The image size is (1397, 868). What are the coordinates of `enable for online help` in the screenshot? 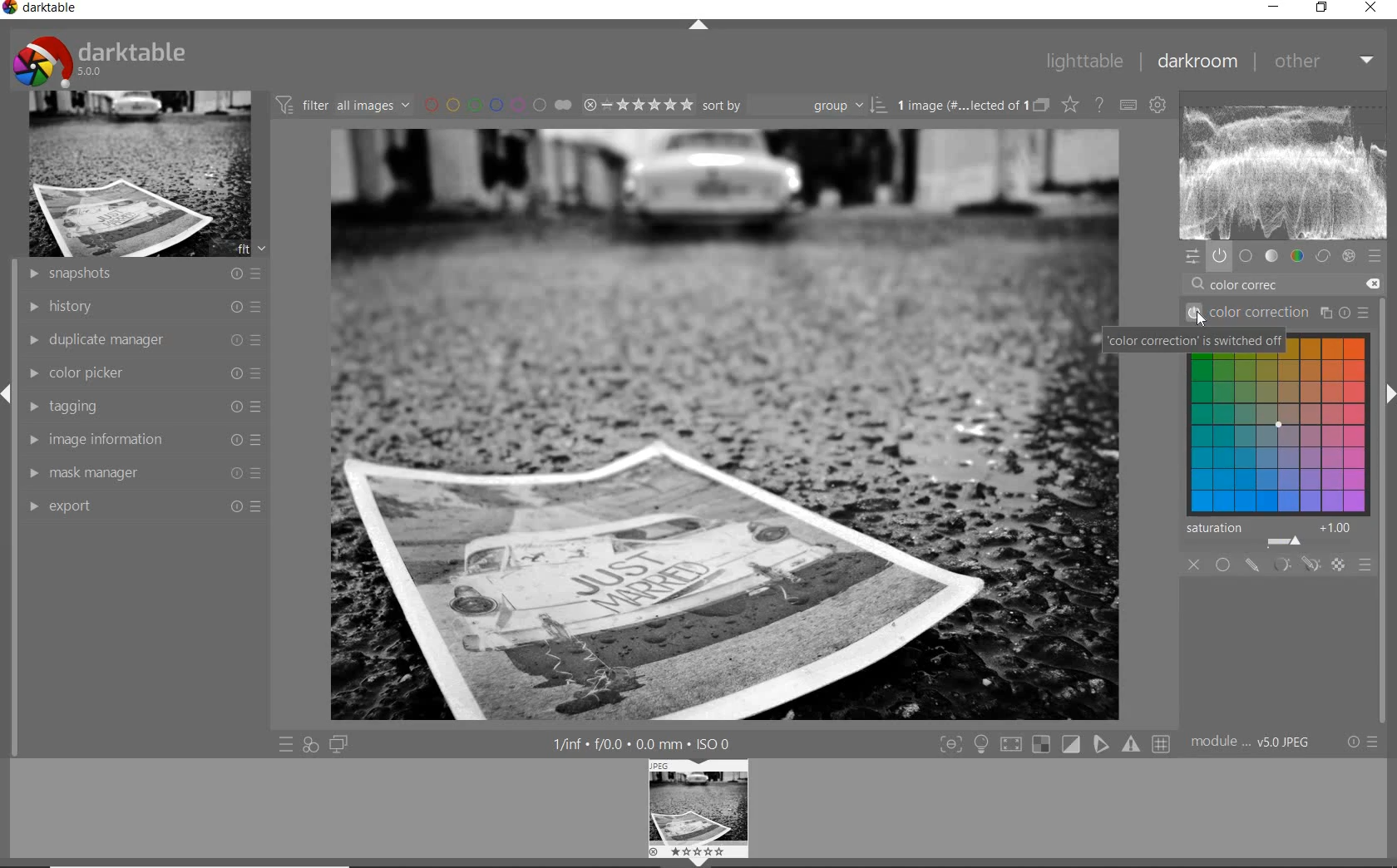 It's located at (1100, 104).